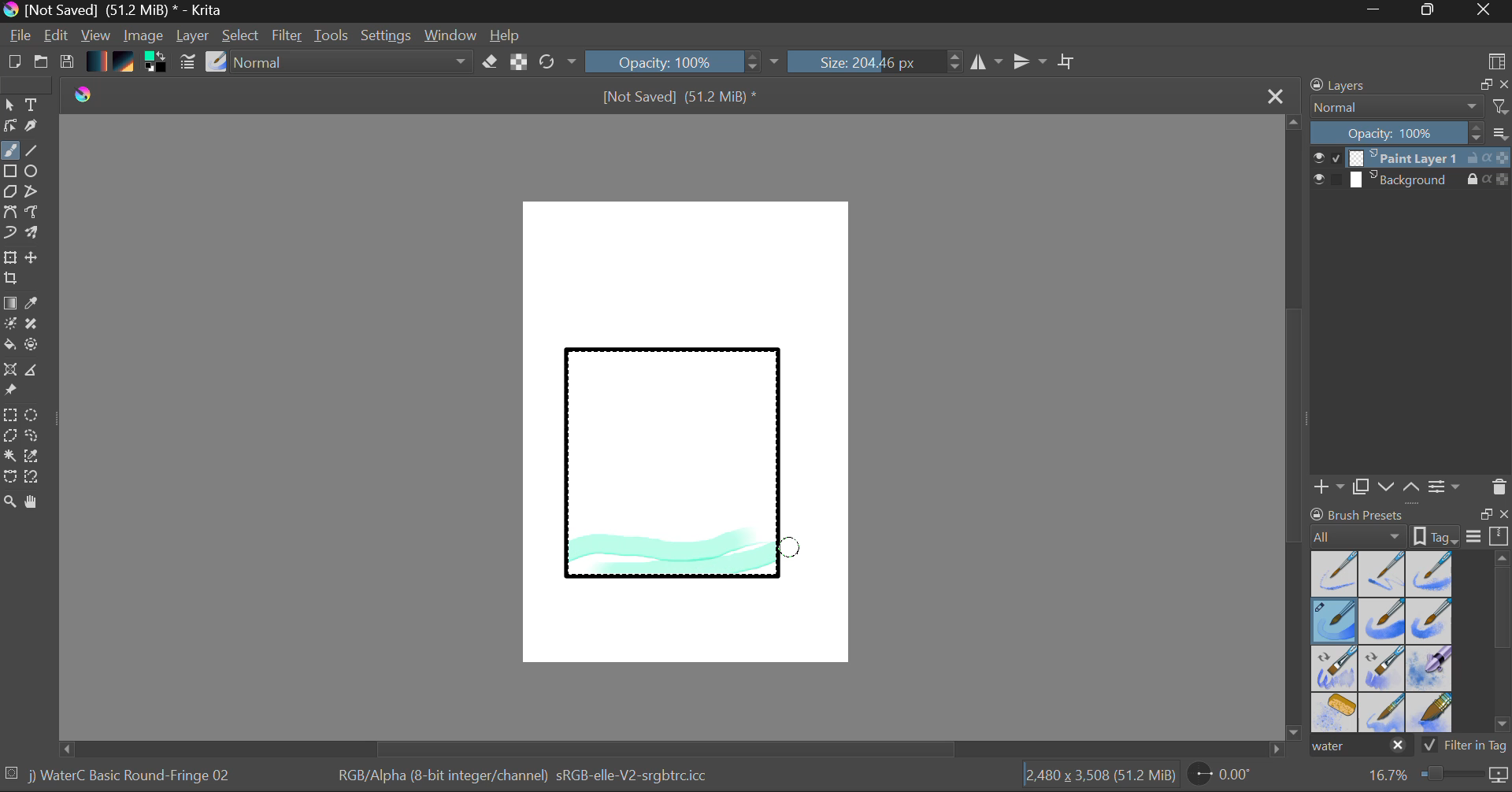  I want to click on Measurements, so click(34, 372).